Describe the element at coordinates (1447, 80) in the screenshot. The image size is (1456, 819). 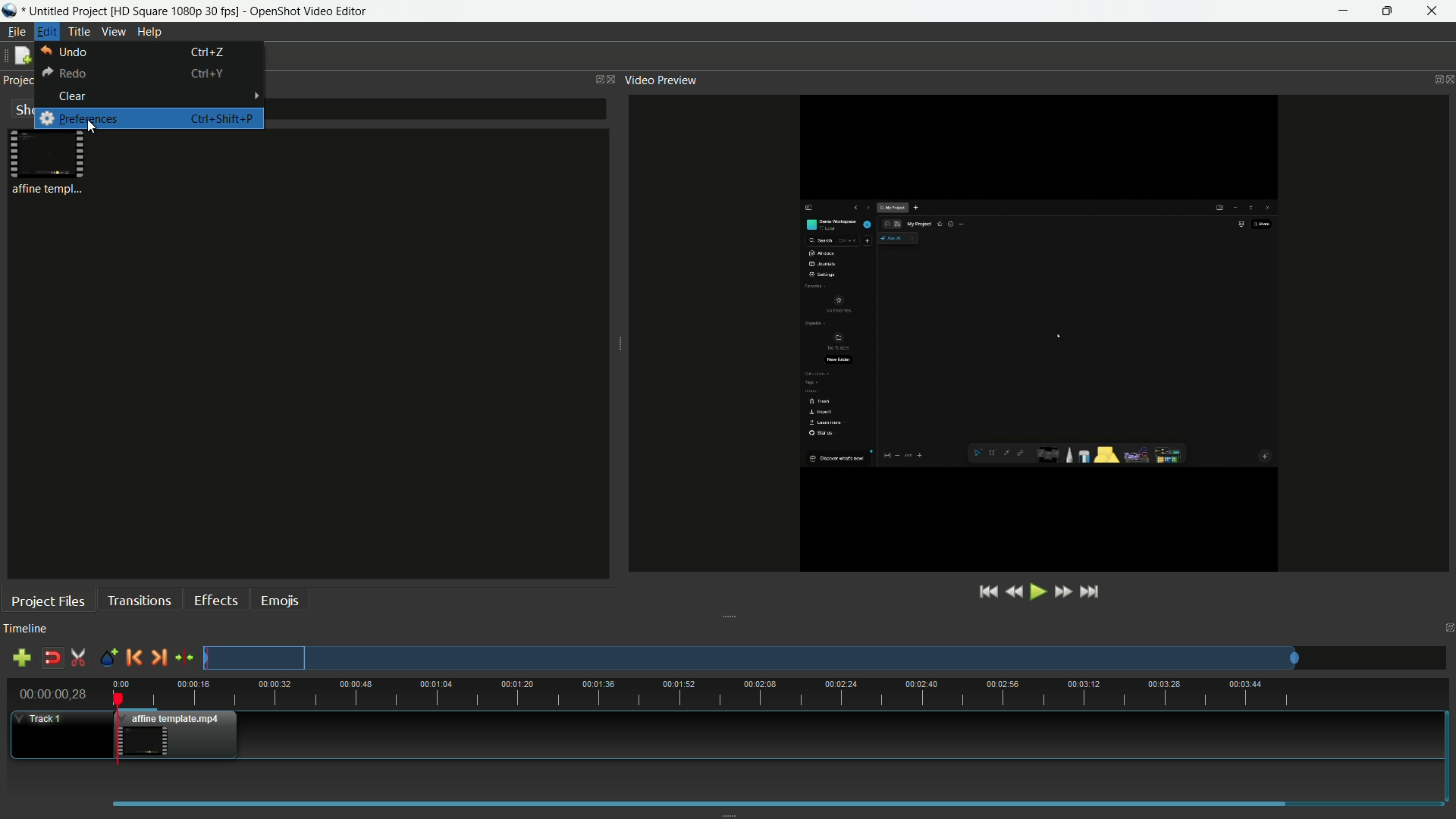
I see `close video preview` at that location.